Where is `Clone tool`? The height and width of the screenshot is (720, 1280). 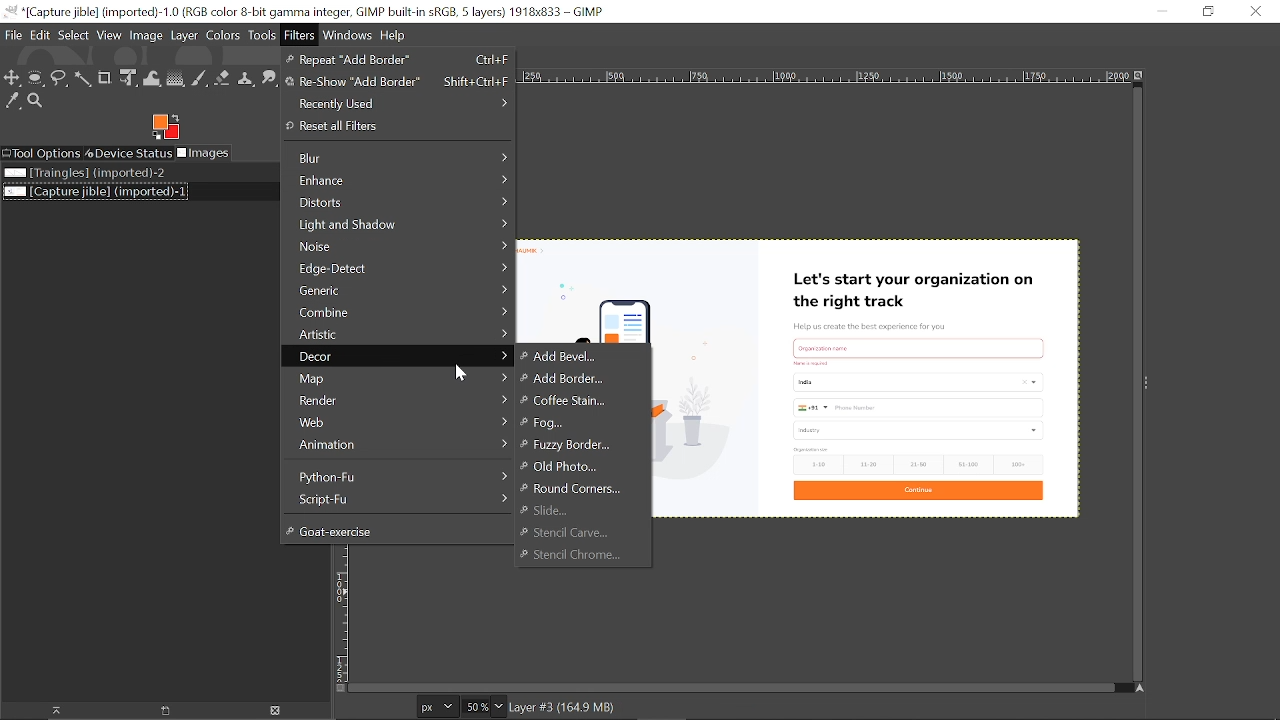
Clone tool is located at coordinates (248, 79).